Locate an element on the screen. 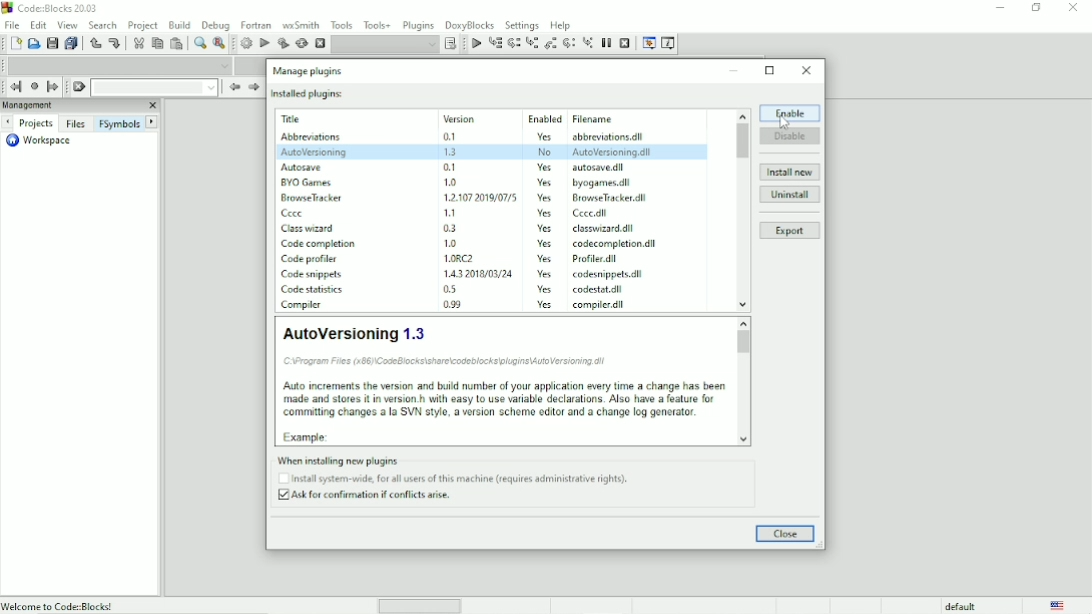 The width and height of the screenshot is (1092, 614). Replace is located at coordinates (219, 44).